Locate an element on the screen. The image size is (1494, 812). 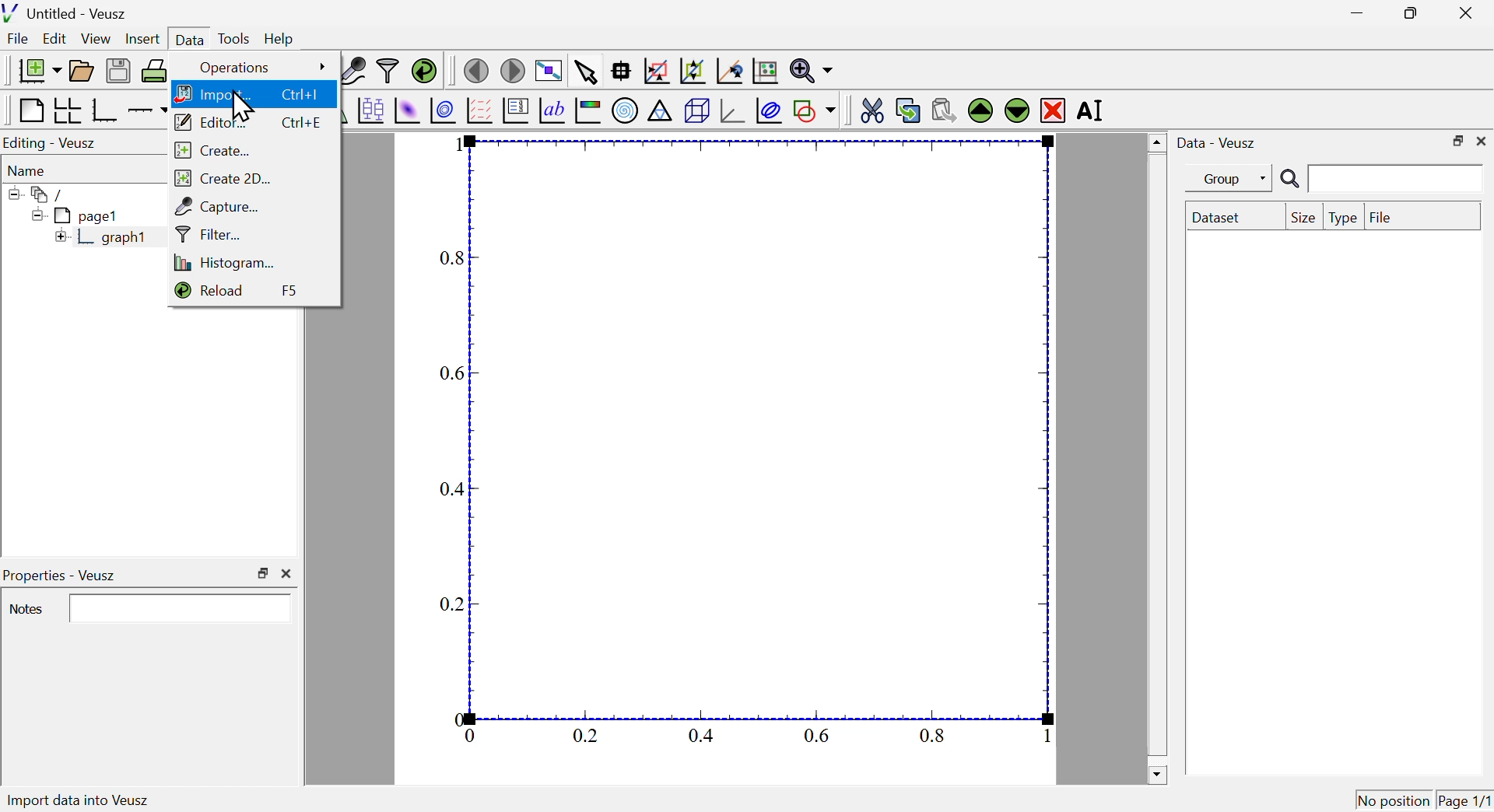
Create 2D... is located at coordinates (226, 176).